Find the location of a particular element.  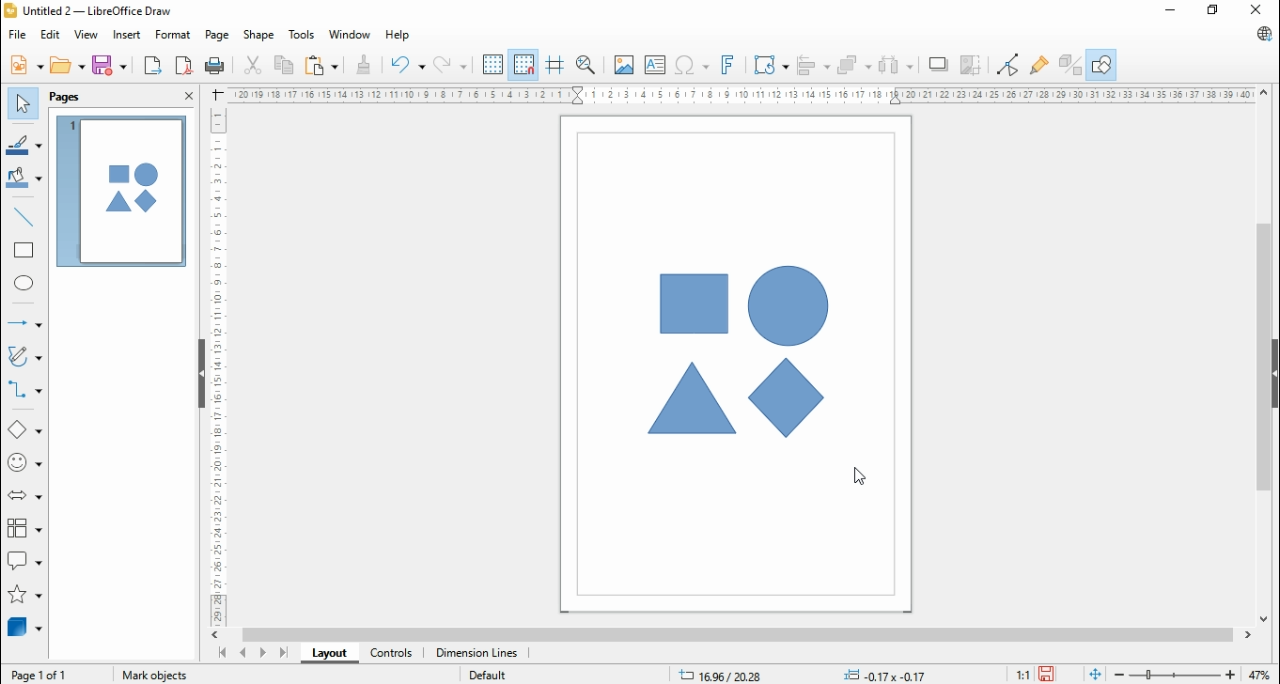

insert is located at coordinates (126, 35).